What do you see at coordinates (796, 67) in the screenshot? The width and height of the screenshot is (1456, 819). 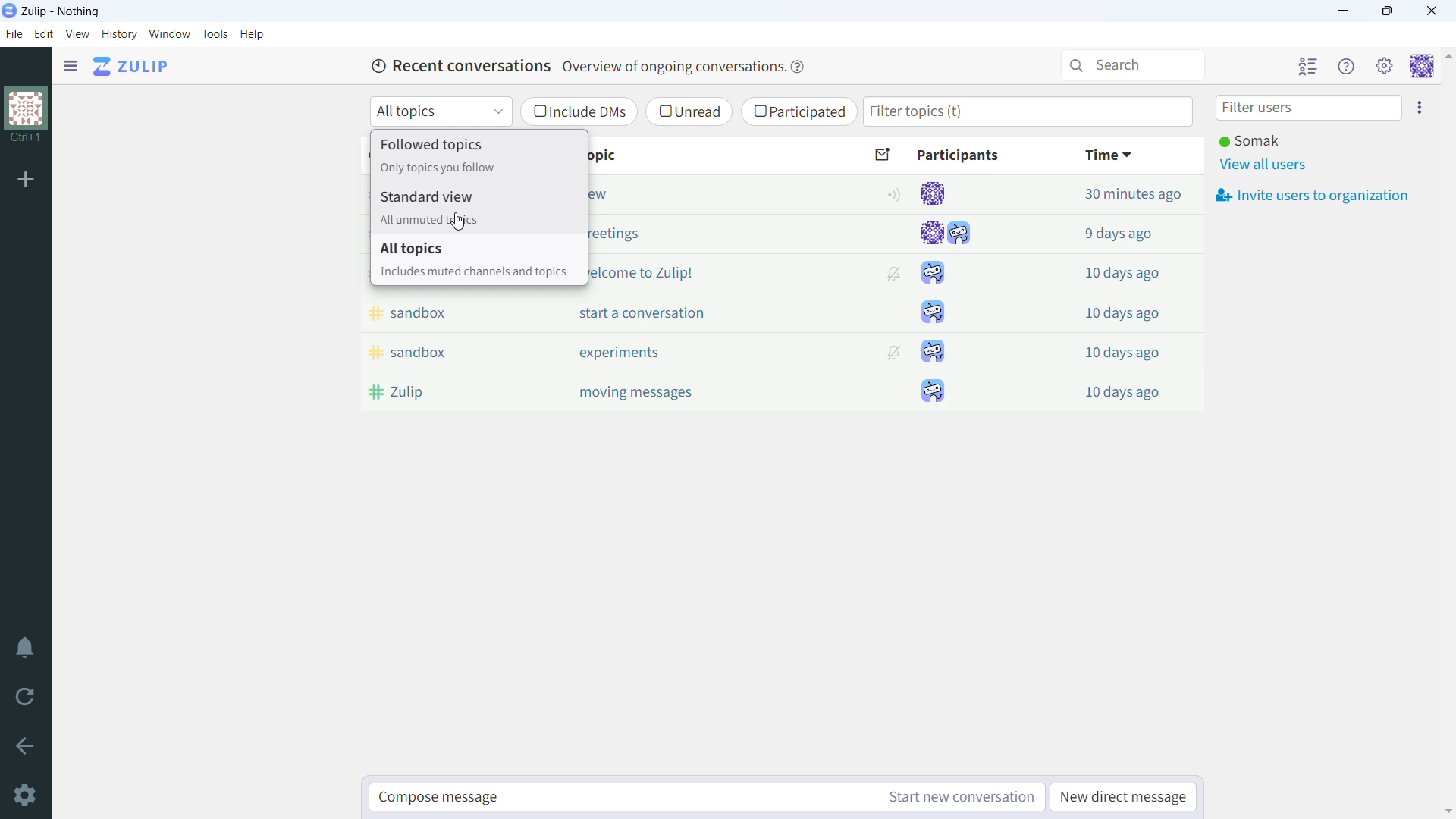 I see `help` at bounding box center [796, 67].